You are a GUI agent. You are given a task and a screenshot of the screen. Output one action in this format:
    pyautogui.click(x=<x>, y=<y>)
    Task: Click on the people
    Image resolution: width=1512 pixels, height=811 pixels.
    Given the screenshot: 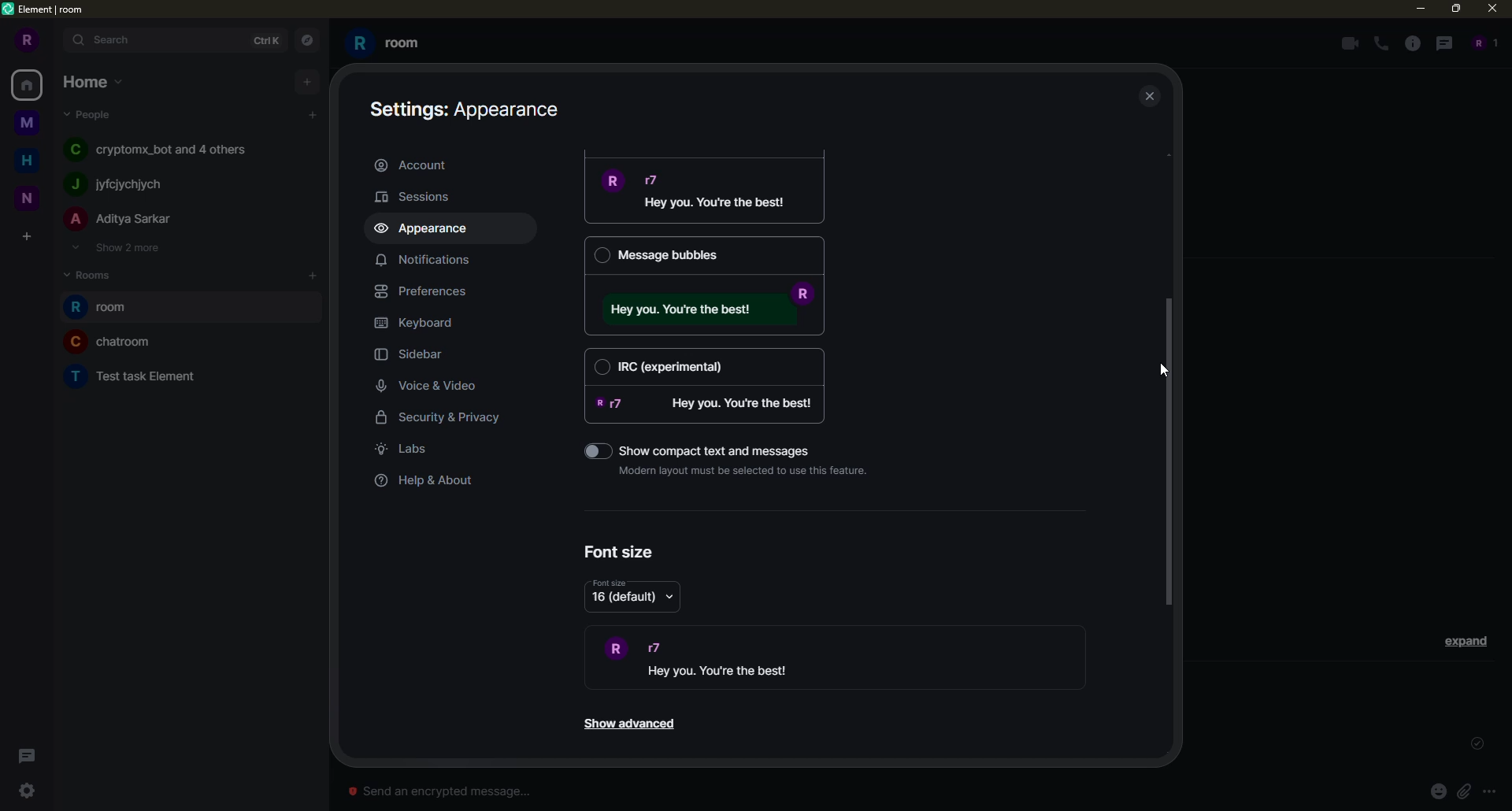 What is the action you would take?
    pyautogui.click(x=91, y=113)
    